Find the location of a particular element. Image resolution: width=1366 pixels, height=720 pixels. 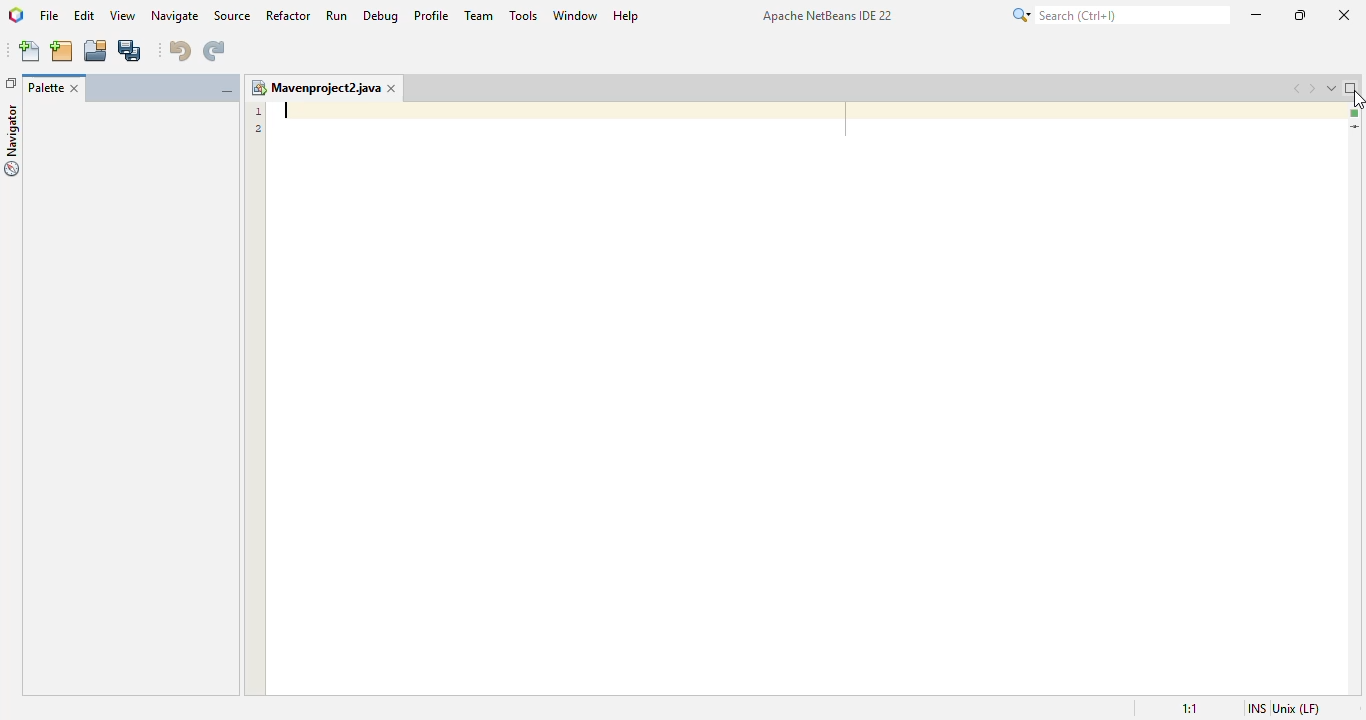

maximize is located at coordinates (1300, 15).